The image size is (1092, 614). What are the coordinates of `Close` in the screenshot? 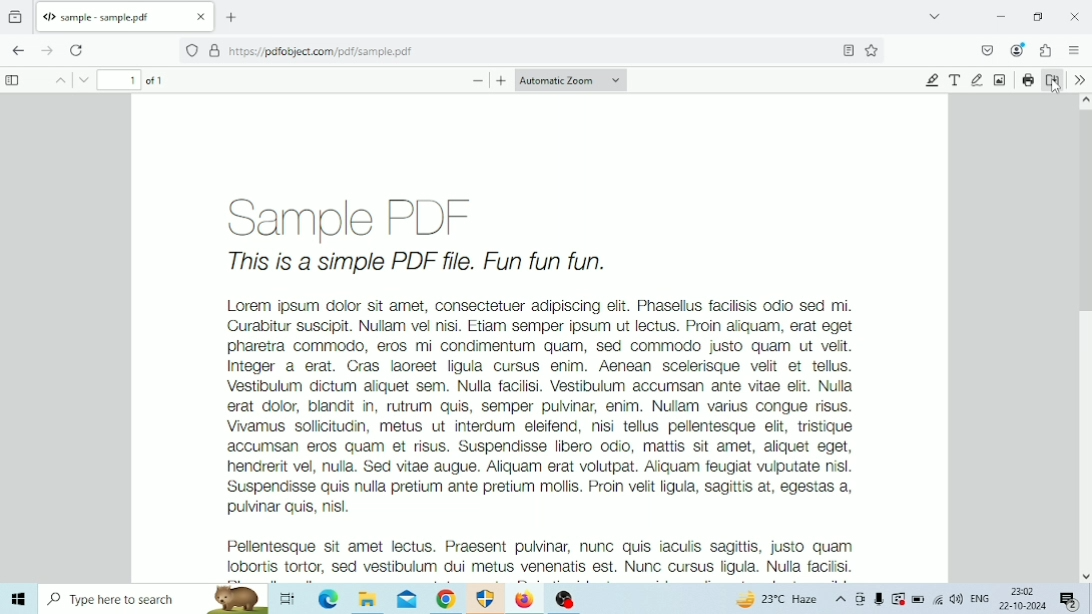 It's located at (1076, 17).